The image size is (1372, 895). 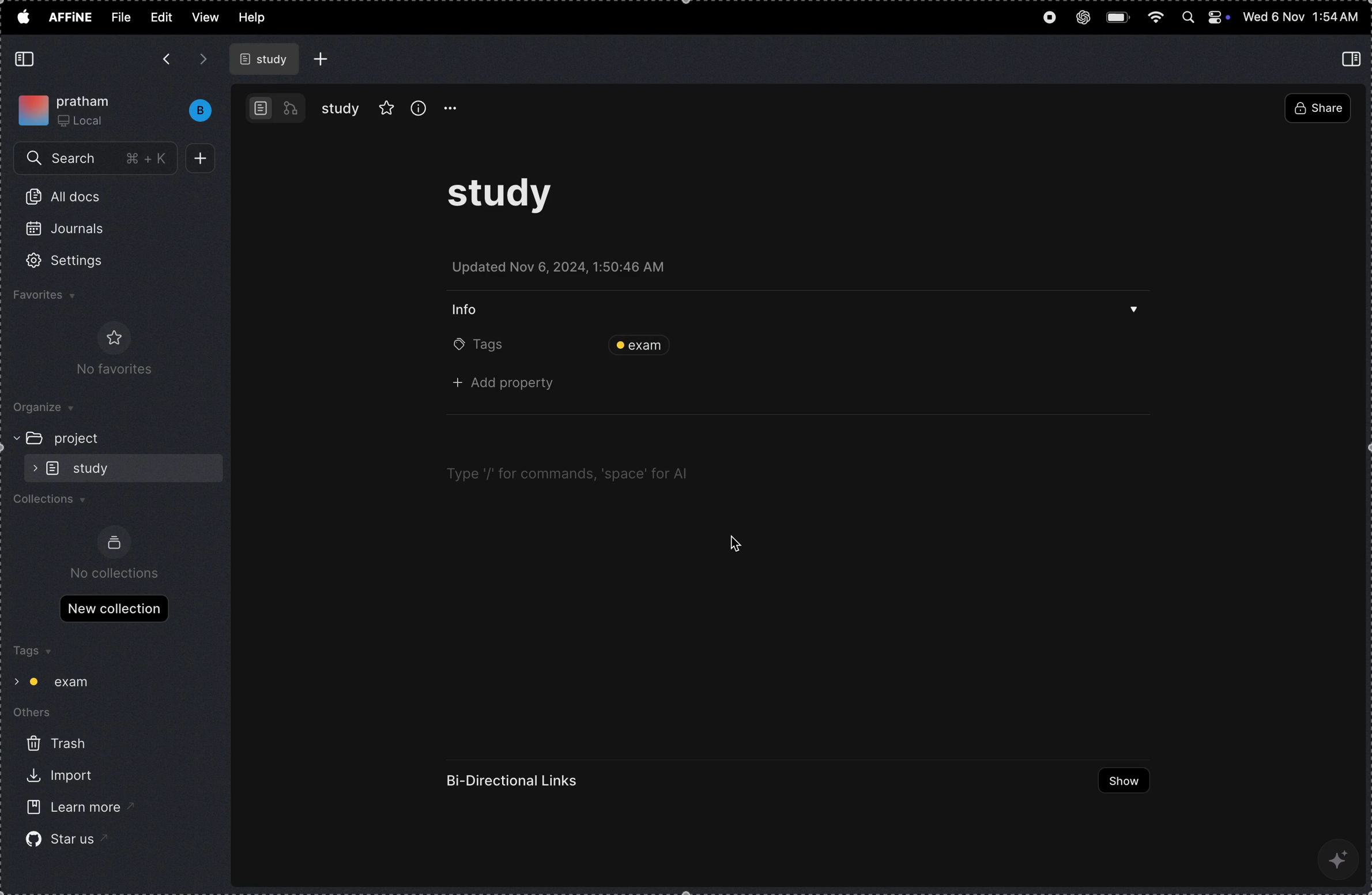 I want to click on study, so click(x=341, y=108).